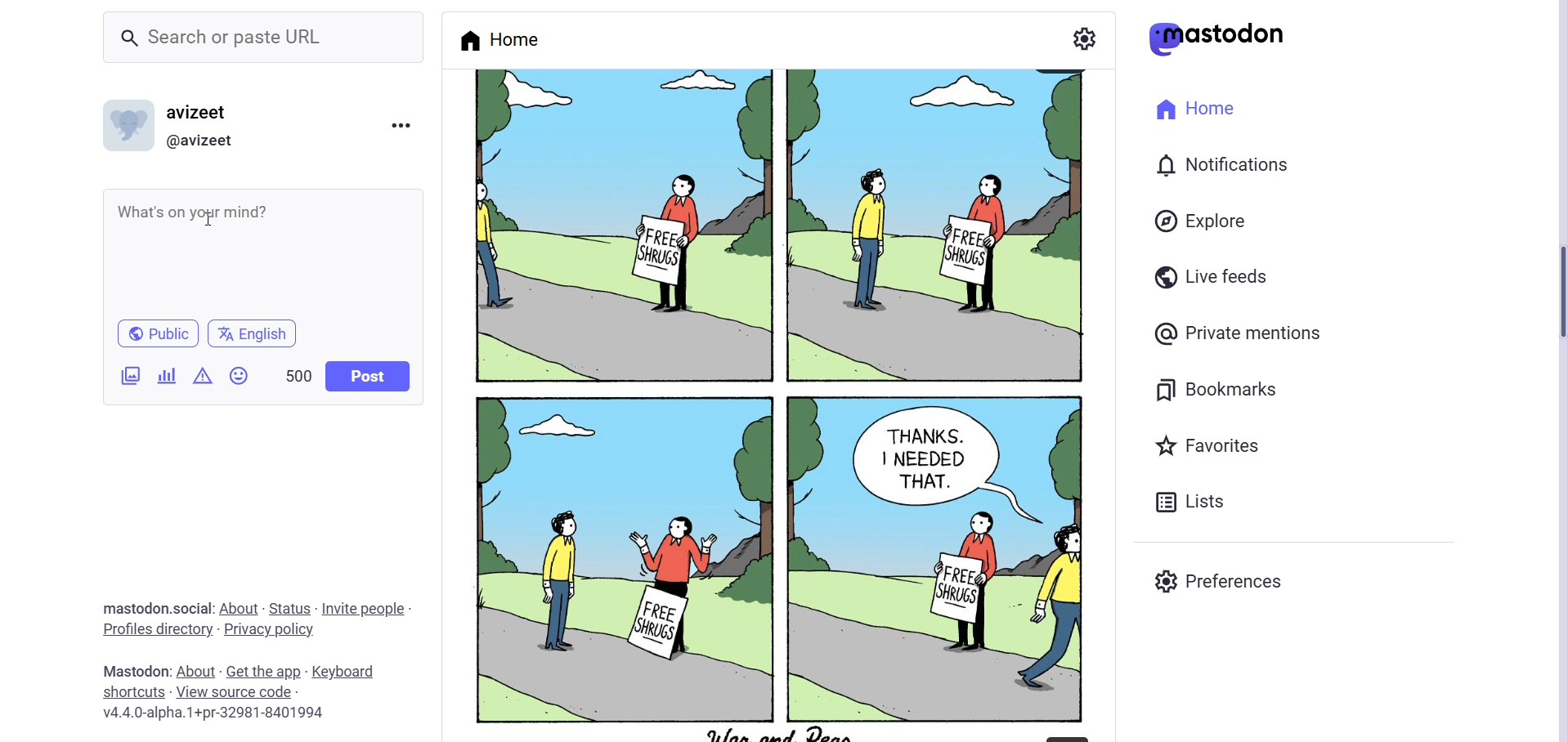  What do you see at coordinates (1238, 335) in the screenshot?
I see `private Mentions` at bounding box center [1238, 335].